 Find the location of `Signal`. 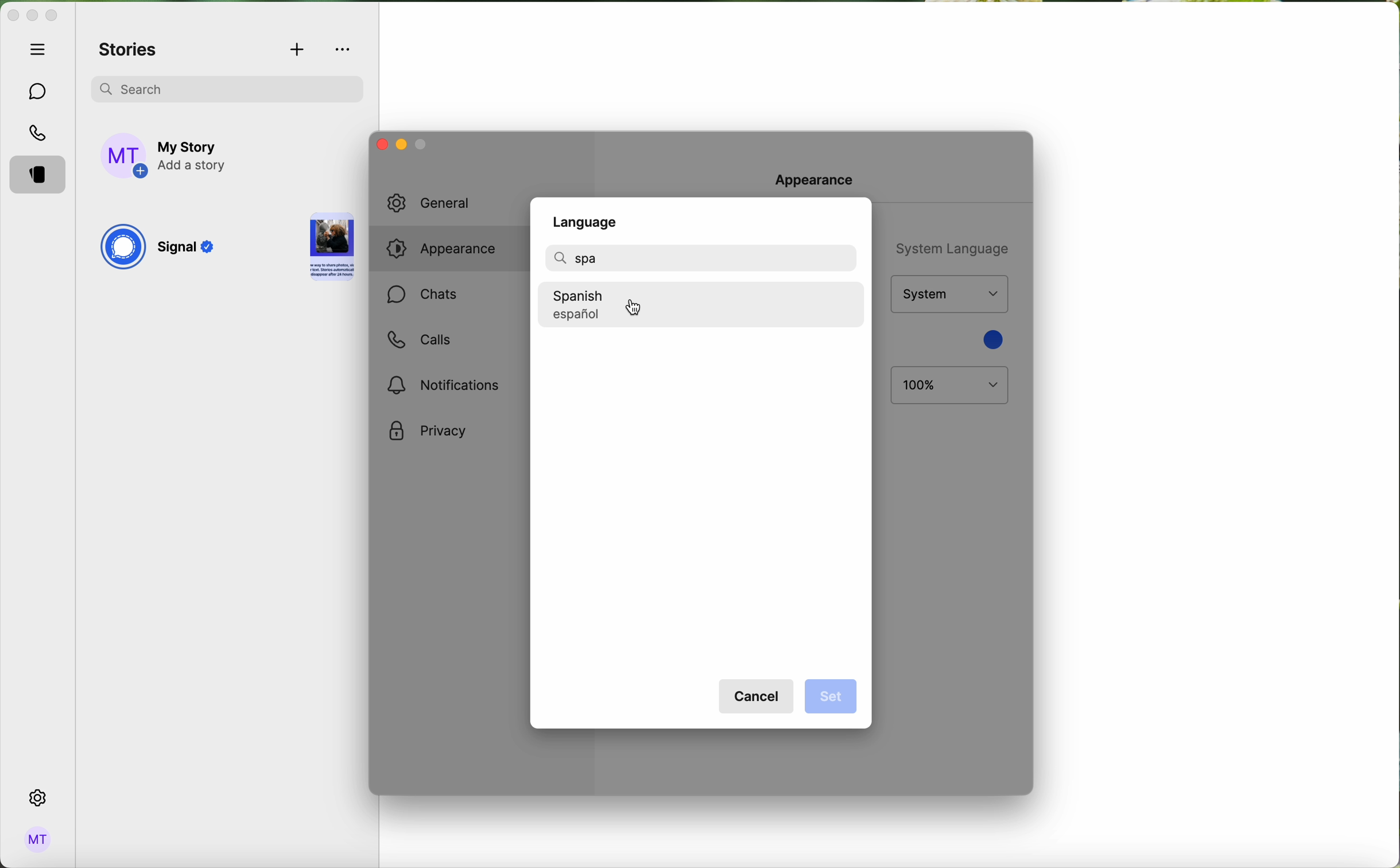

Signal is located at coordinates (189, 250).